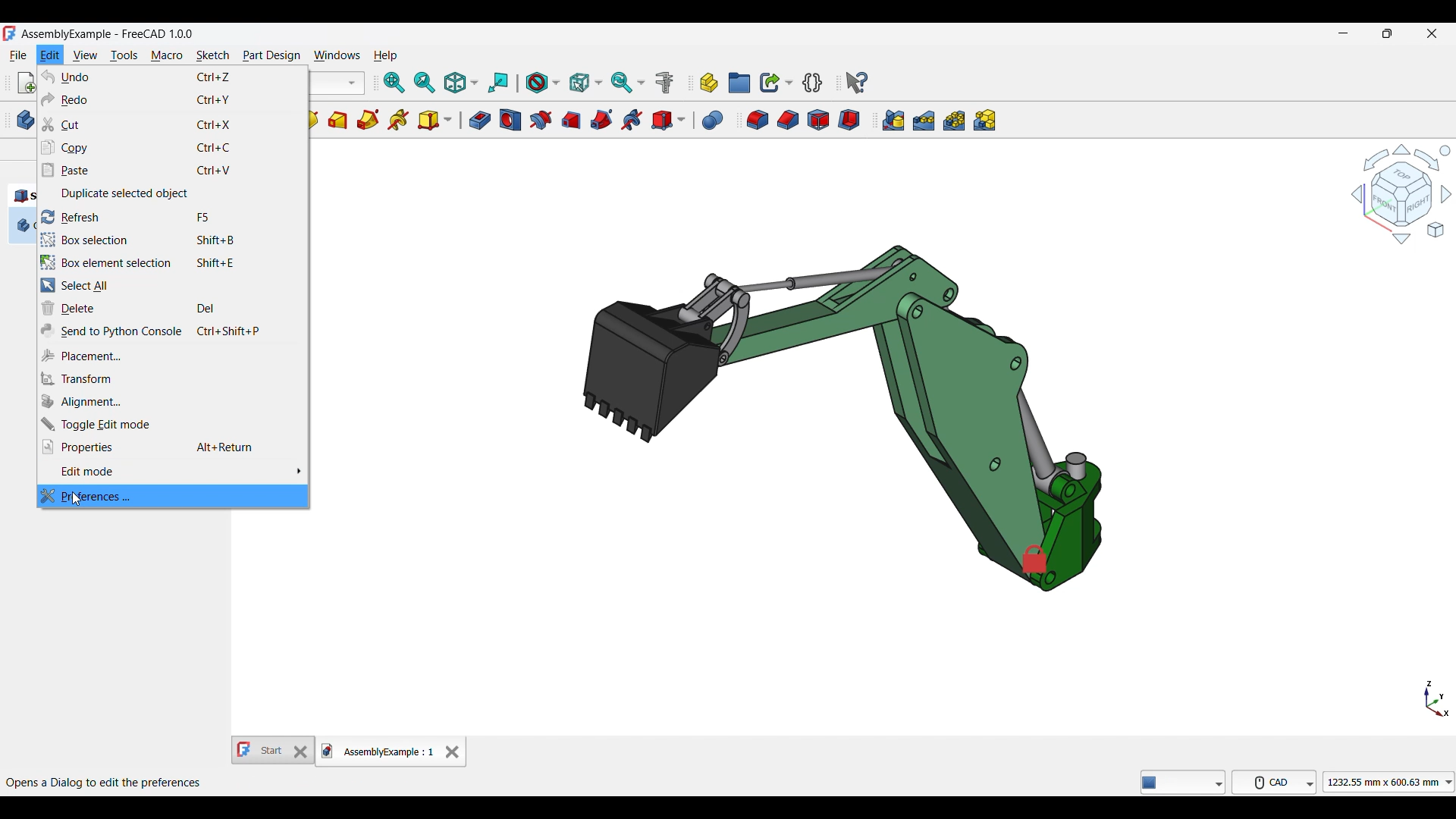 Image resolution: width=1456 pixels, height=819 pixels. Describe the element at coordinates (669, 120) in the screenshot. I see `Create a subtractive primitive options` at that location.